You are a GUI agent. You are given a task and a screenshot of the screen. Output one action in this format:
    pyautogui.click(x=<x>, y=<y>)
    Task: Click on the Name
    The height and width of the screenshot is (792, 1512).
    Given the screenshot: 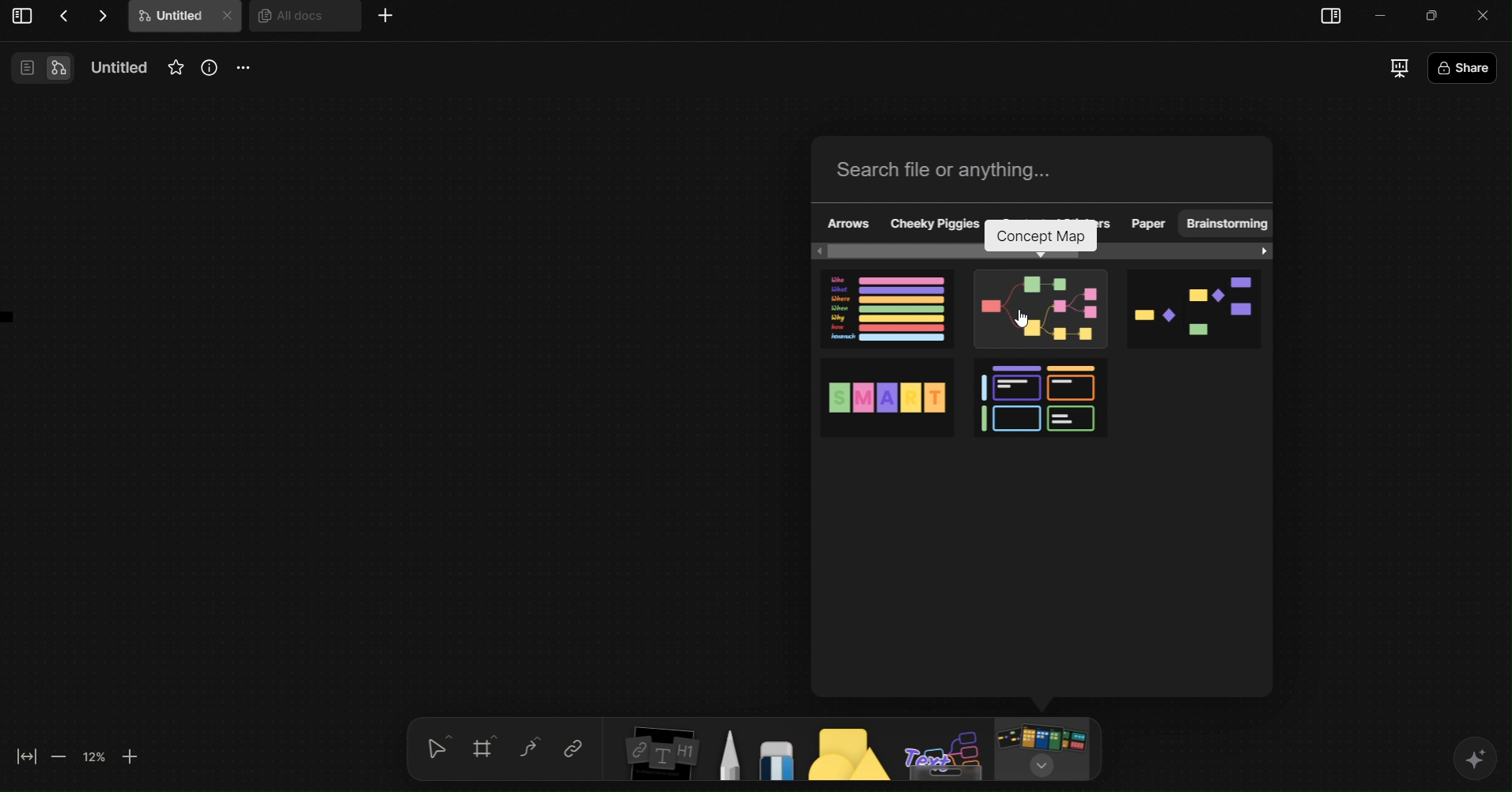 What is the action you would take?
    pyautogui.click(x=114, y=66)
    